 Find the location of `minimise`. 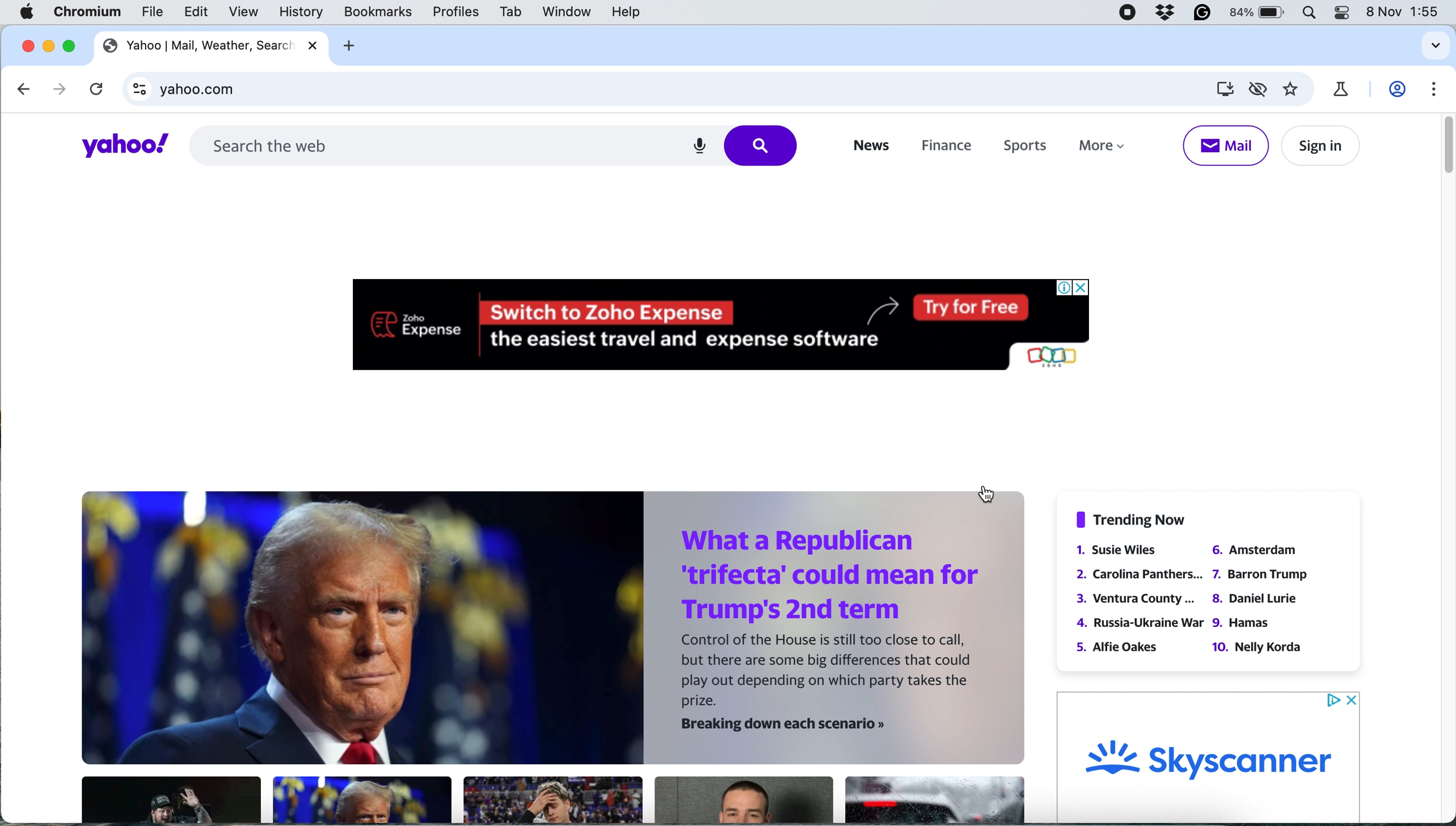

minimise is located at coordinates (47, 45).